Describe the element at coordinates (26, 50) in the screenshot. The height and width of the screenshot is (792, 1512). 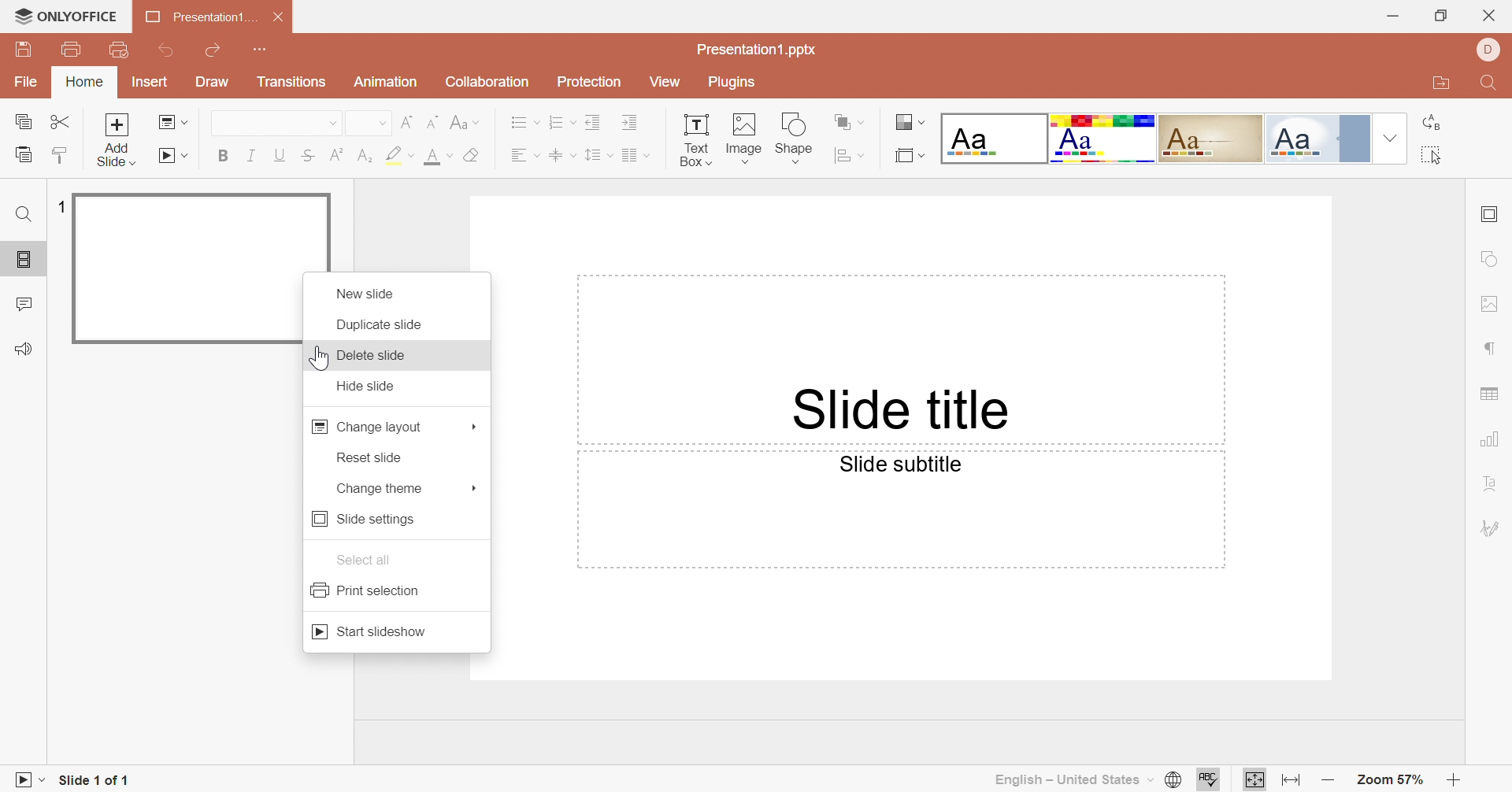
I see `Save` at that location.